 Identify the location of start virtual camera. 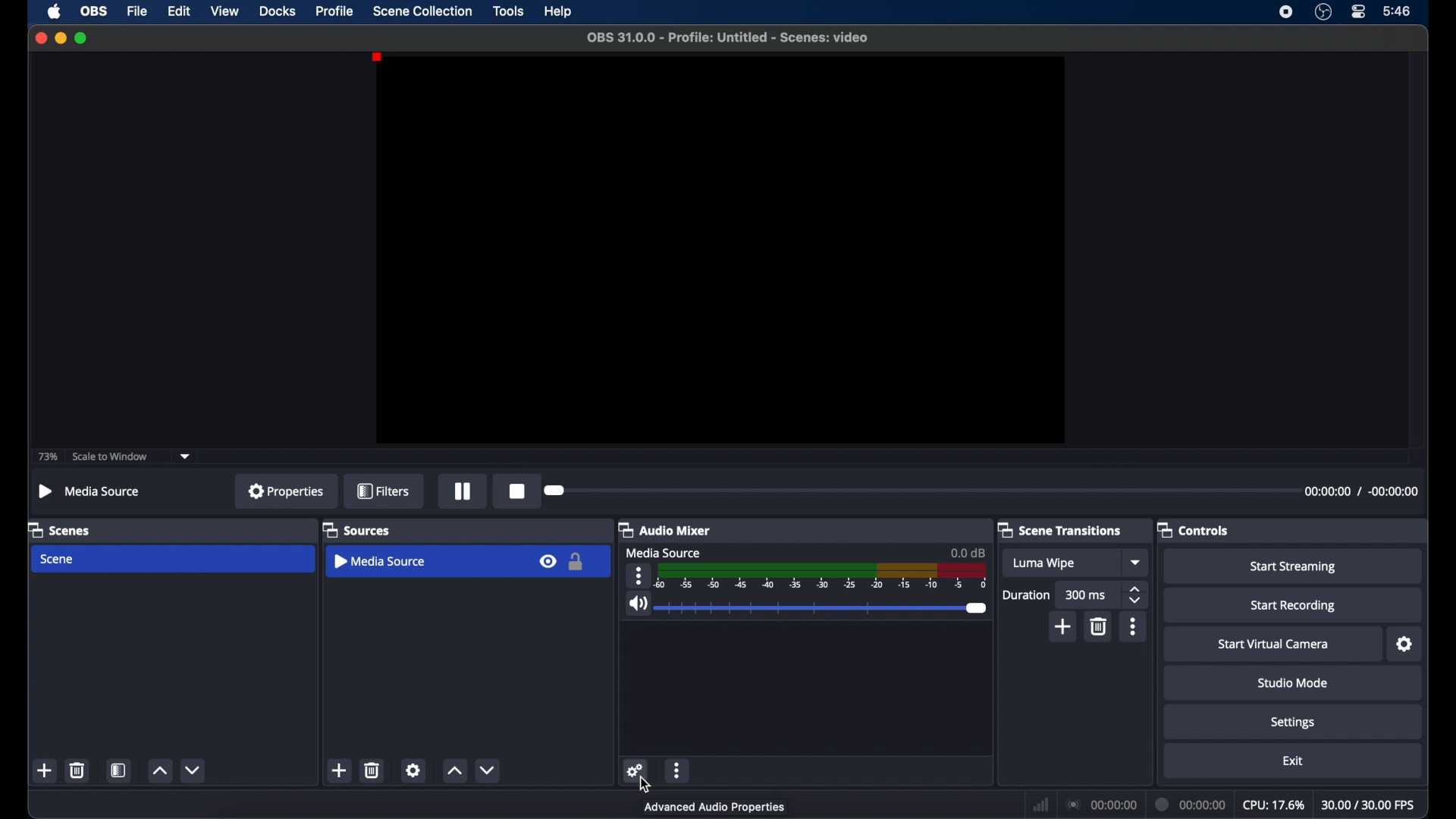
(1273, 645).